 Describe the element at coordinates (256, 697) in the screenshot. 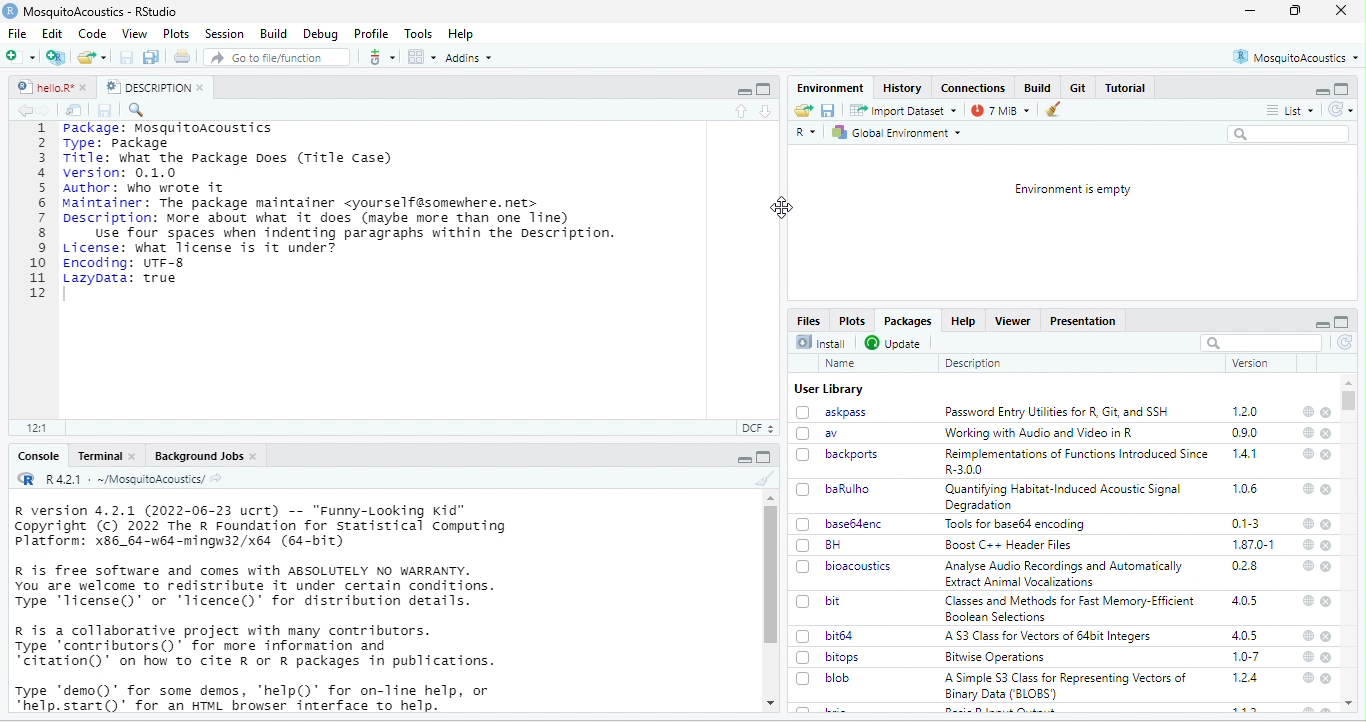

I see `Type ‘demo()" for some demos, 'help()’ for on-line help, or
*help.start()’ for an HTML browser interface to help.` at that location.